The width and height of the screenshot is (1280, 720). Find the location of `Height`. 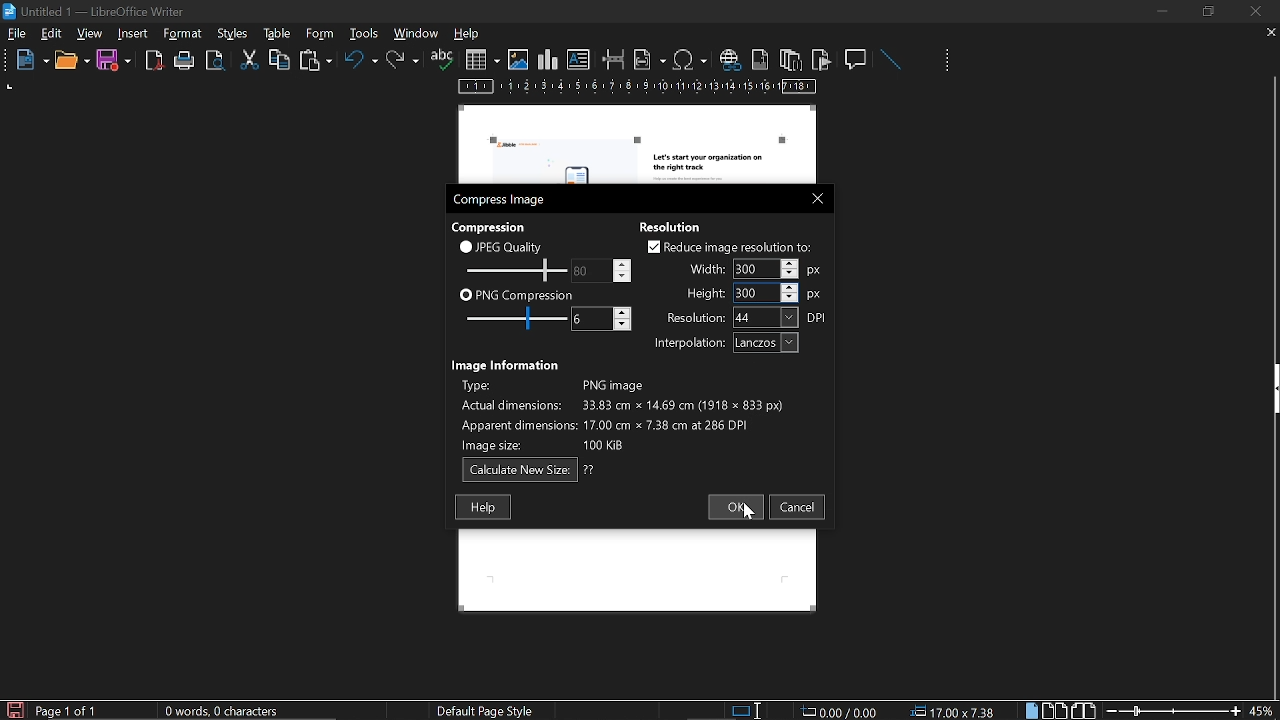

Height is located at coordinates (754, 292).